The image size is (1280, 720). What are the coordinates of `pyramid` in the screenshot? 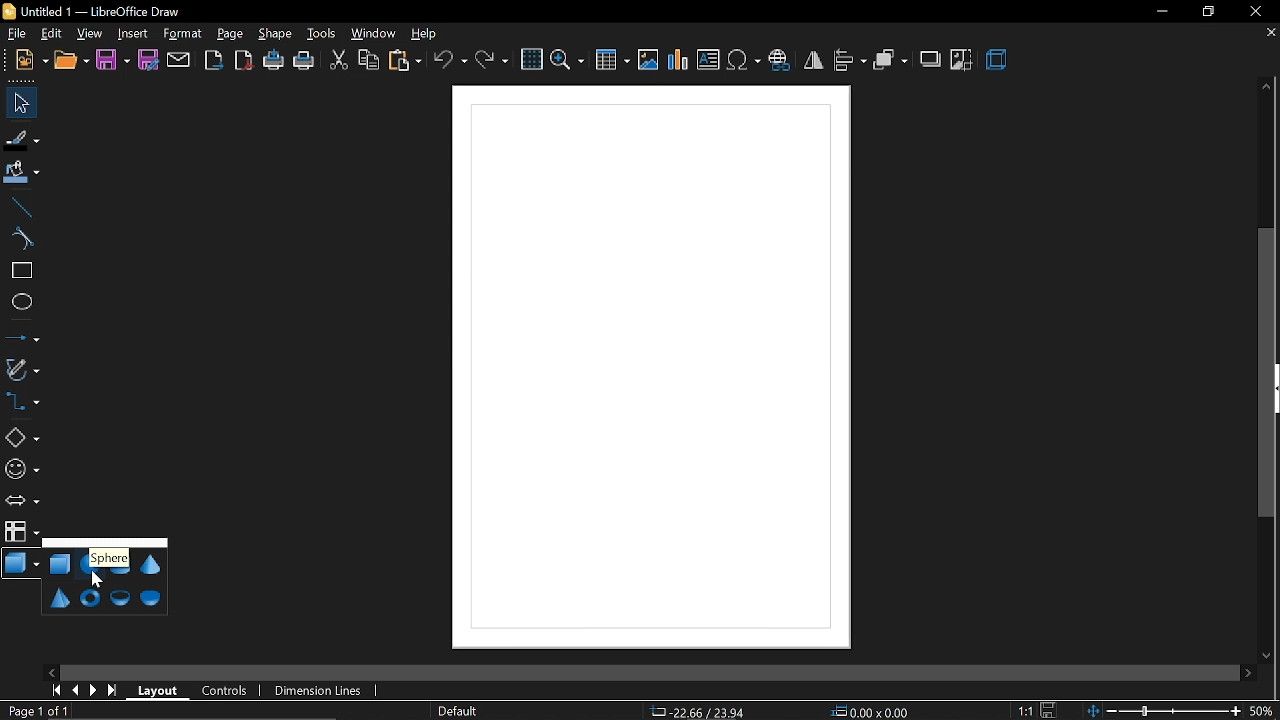 It's located at (61, 599).